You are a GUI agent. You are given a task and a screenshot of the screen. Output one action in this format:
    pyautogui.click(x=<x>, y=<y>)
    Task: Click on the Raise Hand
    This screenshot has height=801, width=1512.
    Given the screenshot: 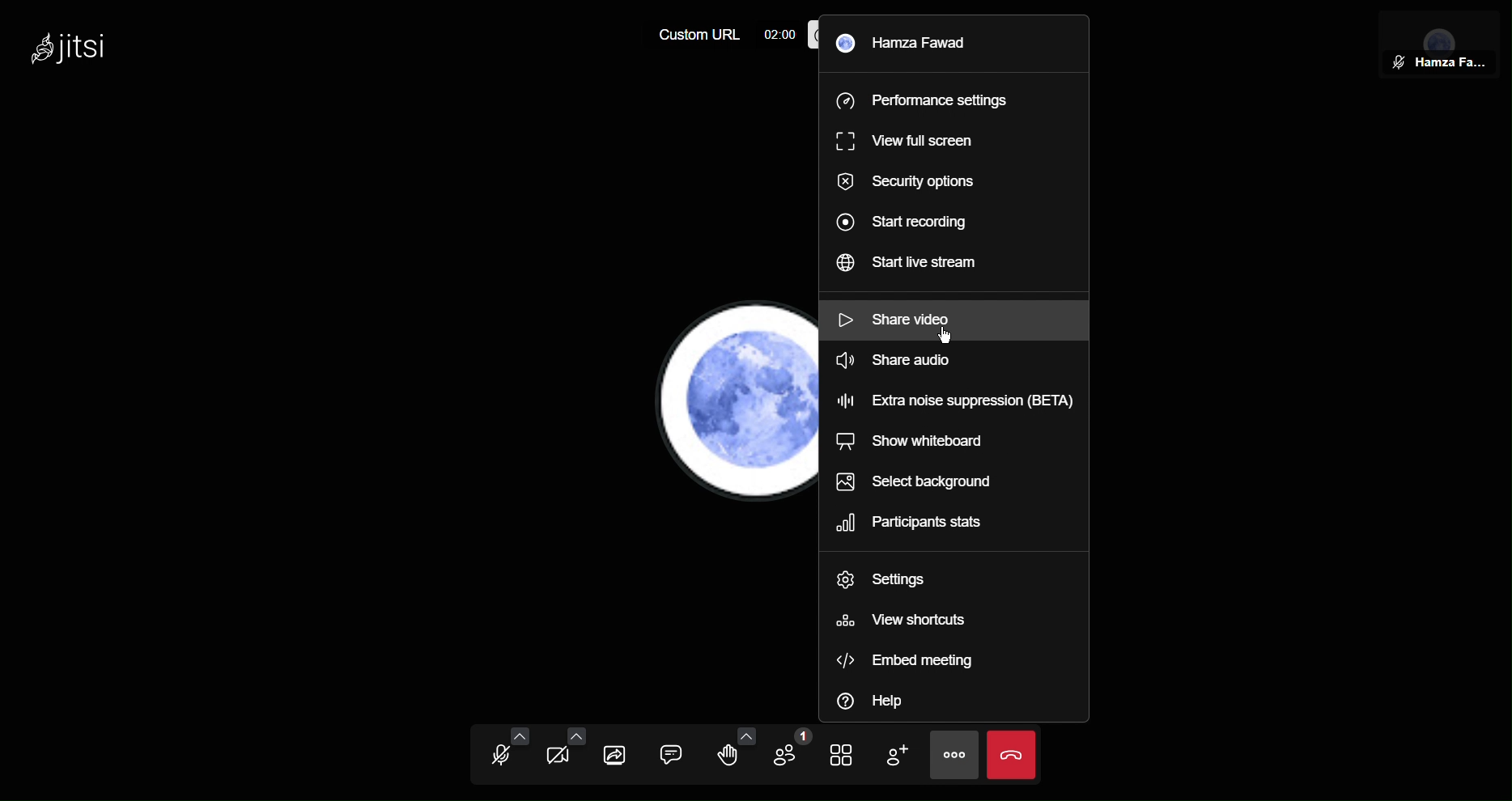 What is the action you would take?
    pyautogui.click(x=733, y=757)
    